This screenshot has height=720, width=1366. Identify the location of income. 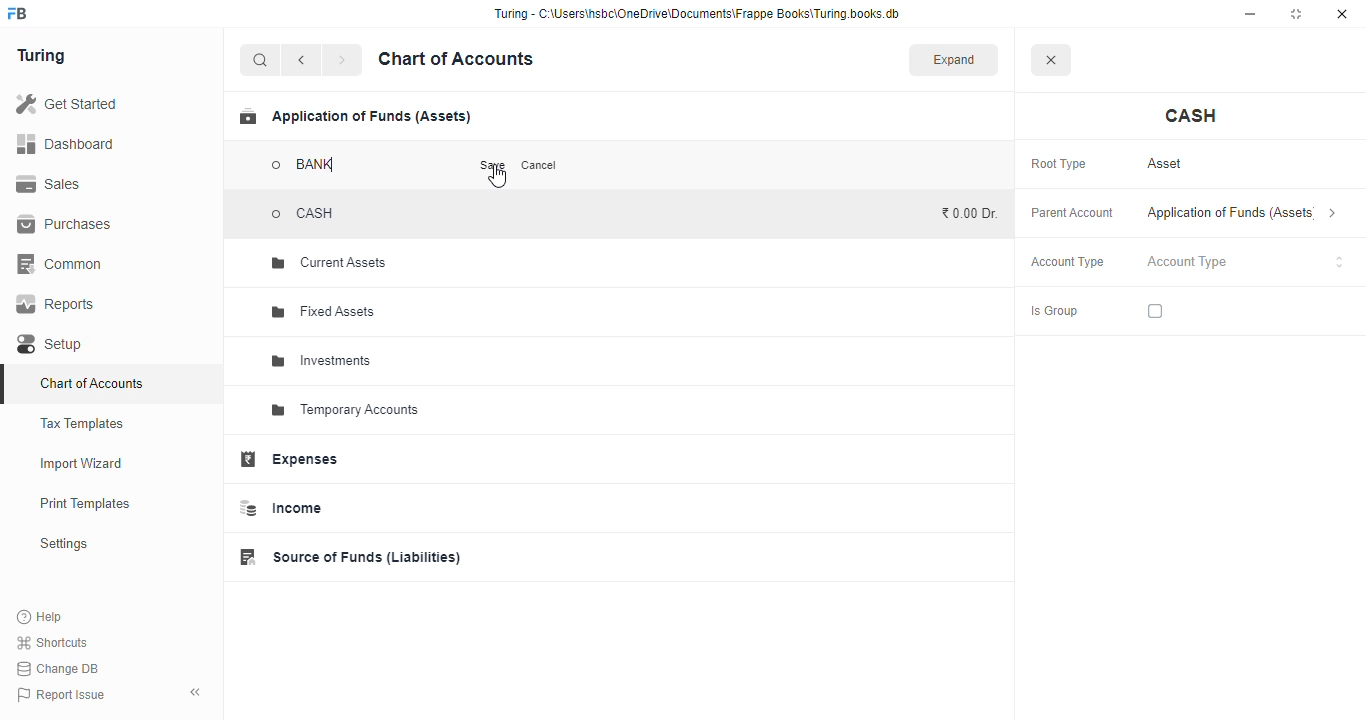
(279, 508).